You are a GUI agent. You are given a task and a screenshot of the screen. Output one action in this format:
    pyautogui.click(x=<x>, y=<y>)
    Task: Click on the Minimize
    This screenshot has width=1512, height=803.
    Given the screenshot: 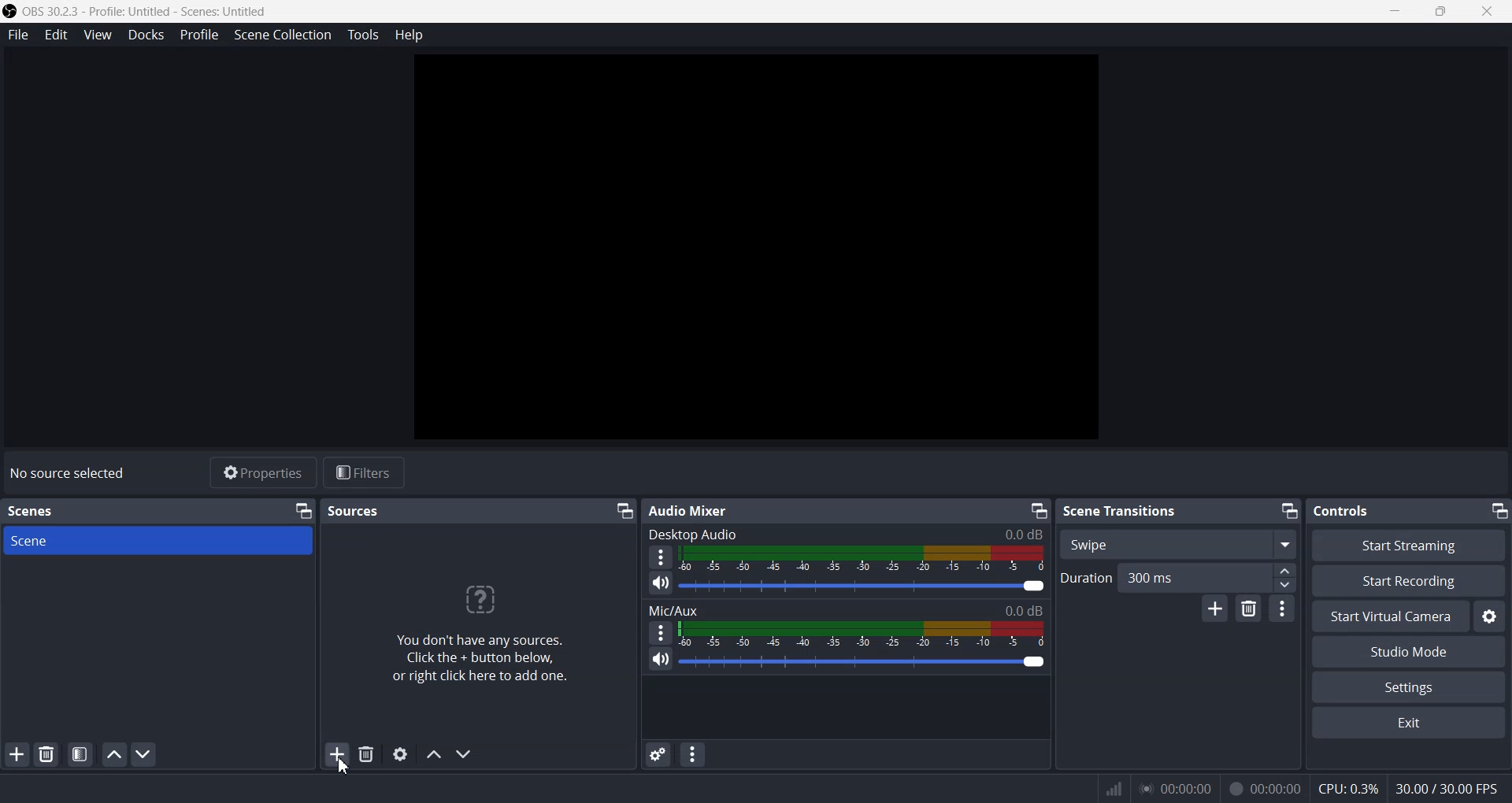 What is the action you would take?
    pyautogui.click(x=1287, y=511)
    